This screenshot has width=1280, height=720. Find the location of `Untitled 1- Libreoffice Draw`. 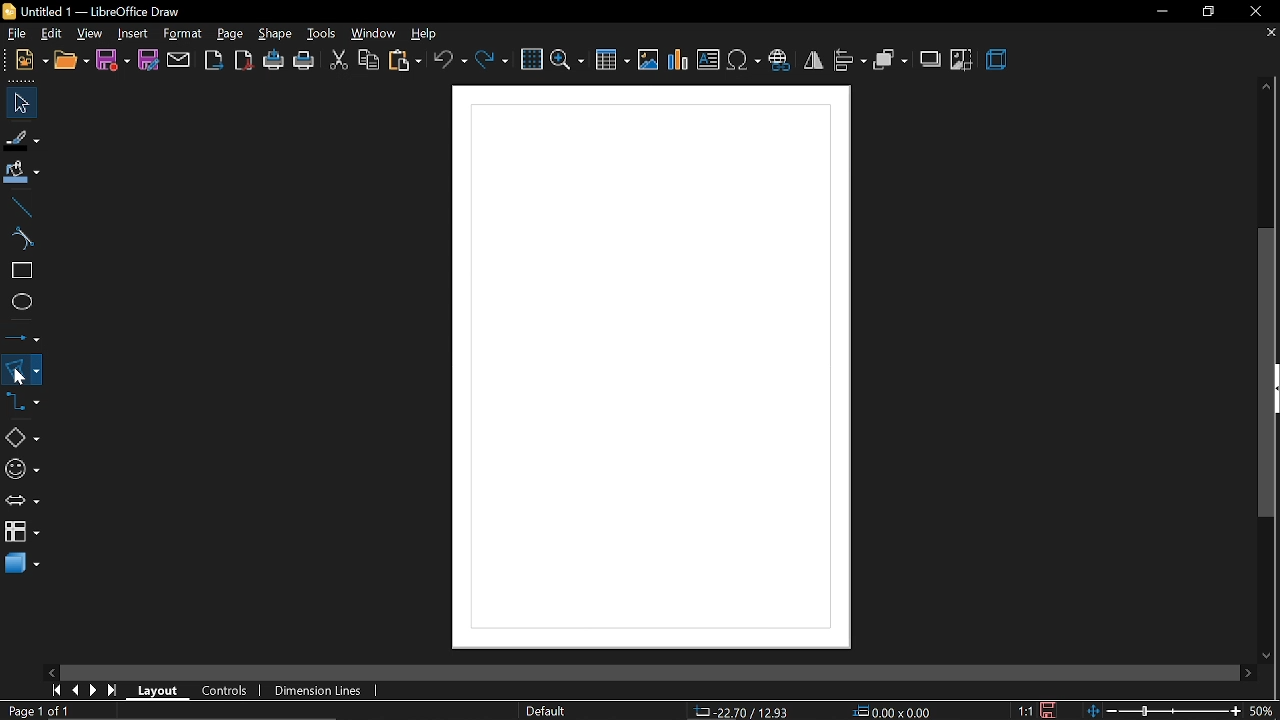

Untitled 1- Libreoffice Draw is located at coordinates (106, 11).